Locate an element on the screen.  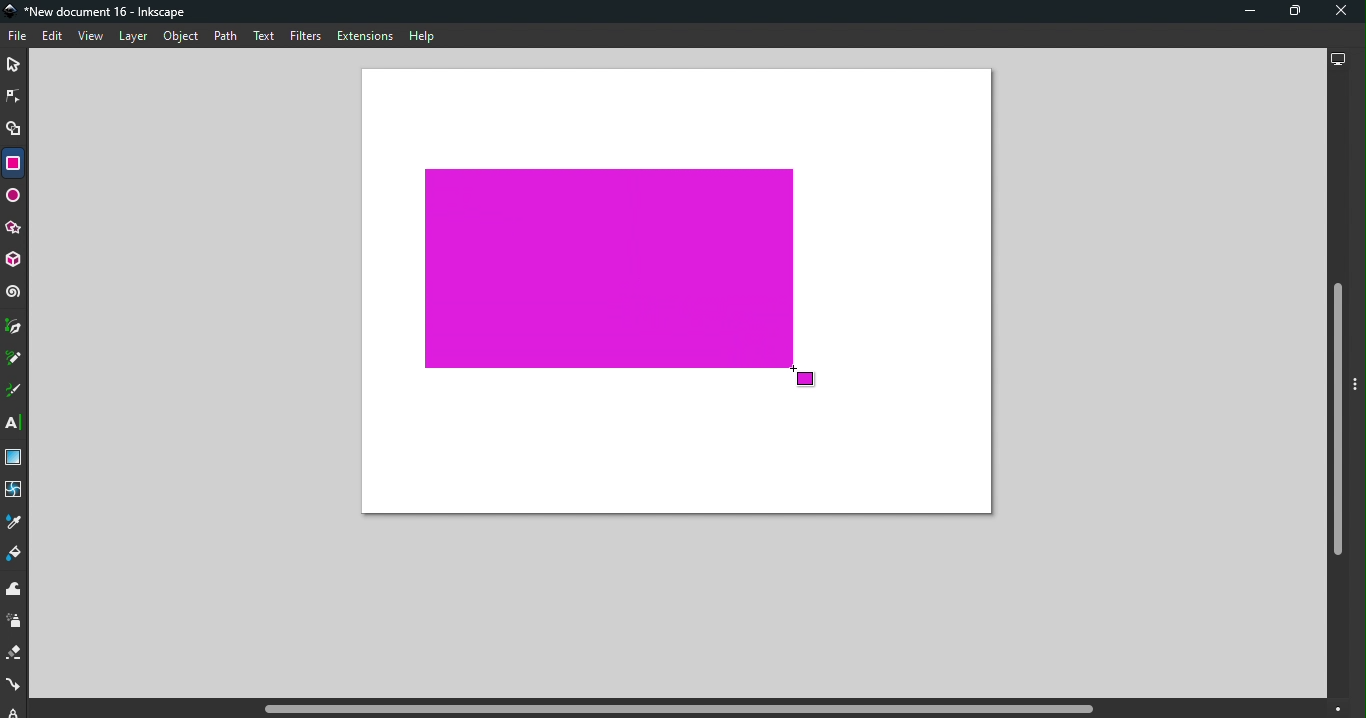
Display options is located at coordinates (1336, 57).